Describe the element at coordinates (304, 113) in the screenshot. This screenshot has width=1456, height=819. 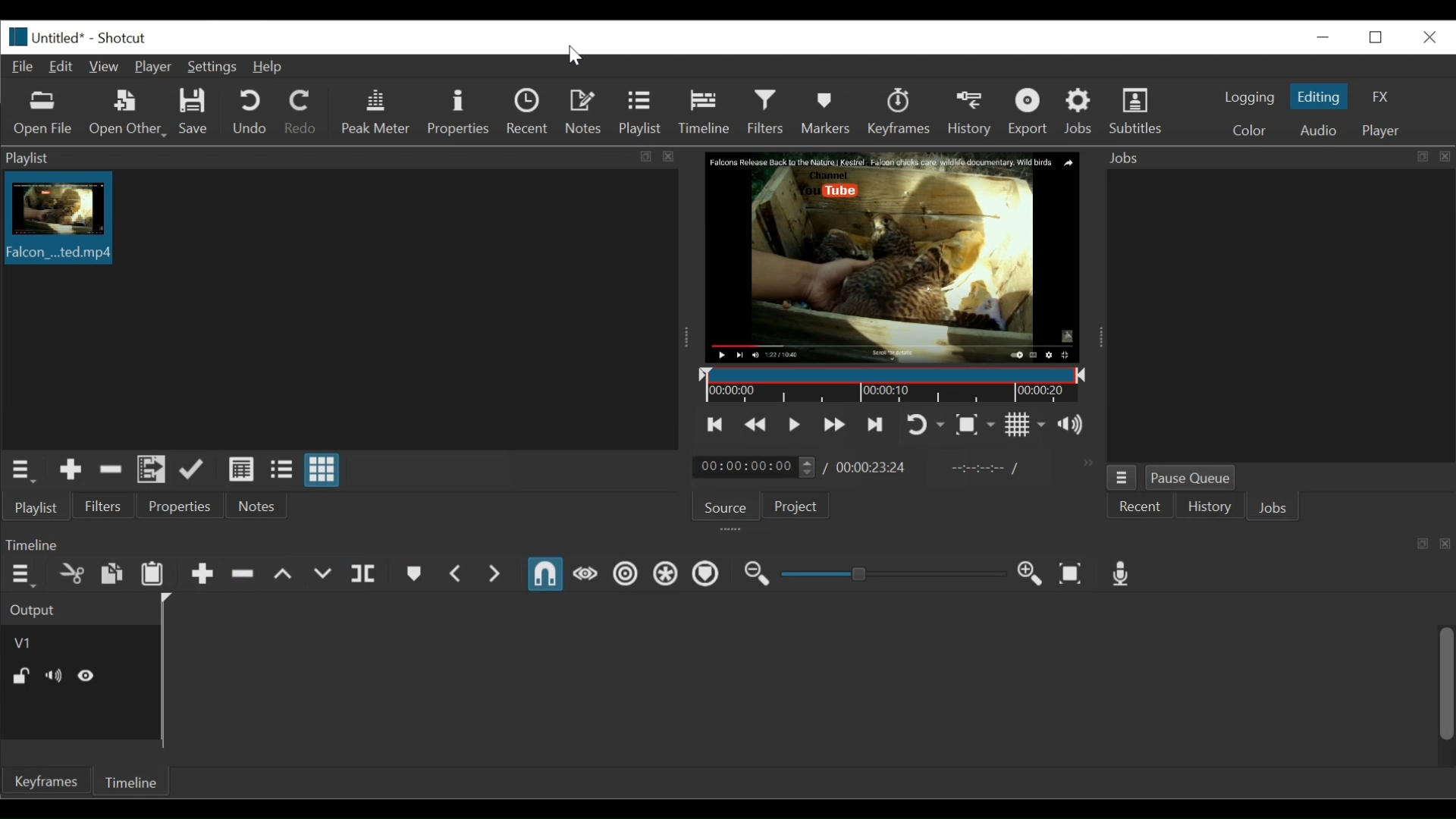
I see `Redo` at that location.